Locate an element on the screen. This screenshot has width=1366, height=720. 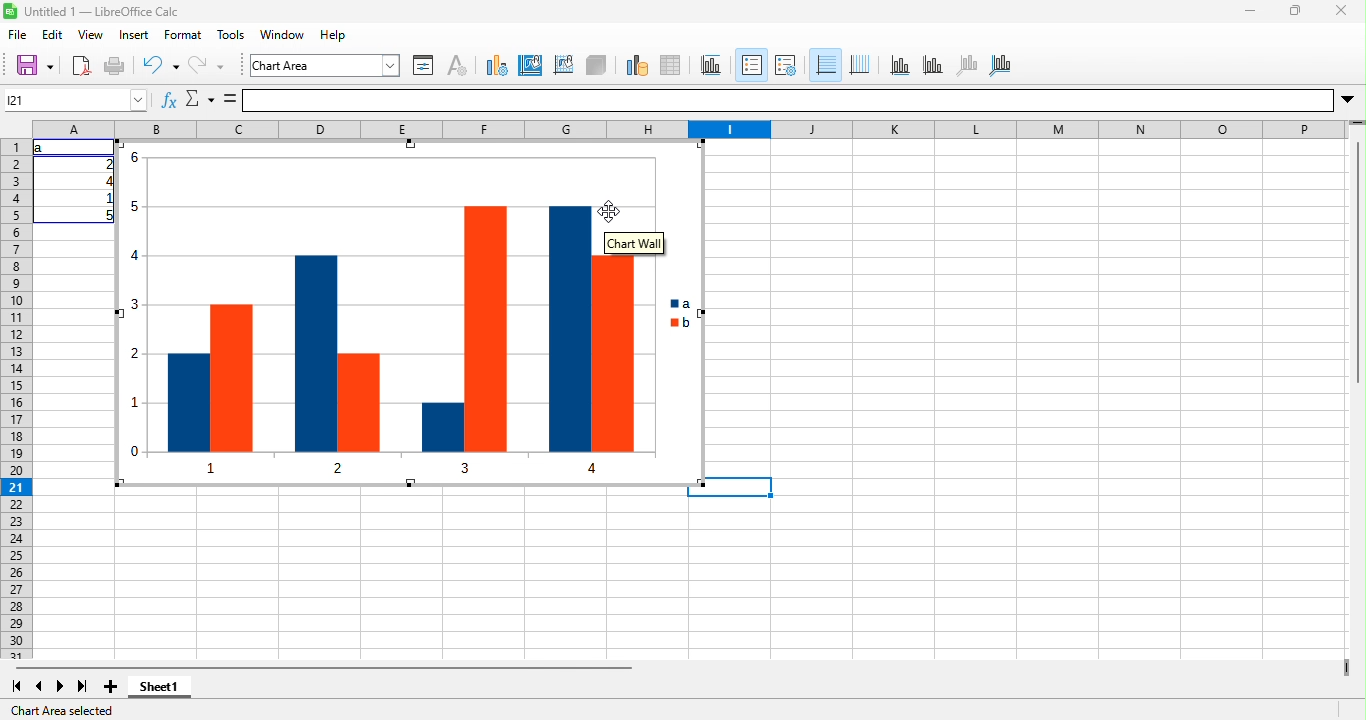
horizontal grids is located at coordinates (825, 65).